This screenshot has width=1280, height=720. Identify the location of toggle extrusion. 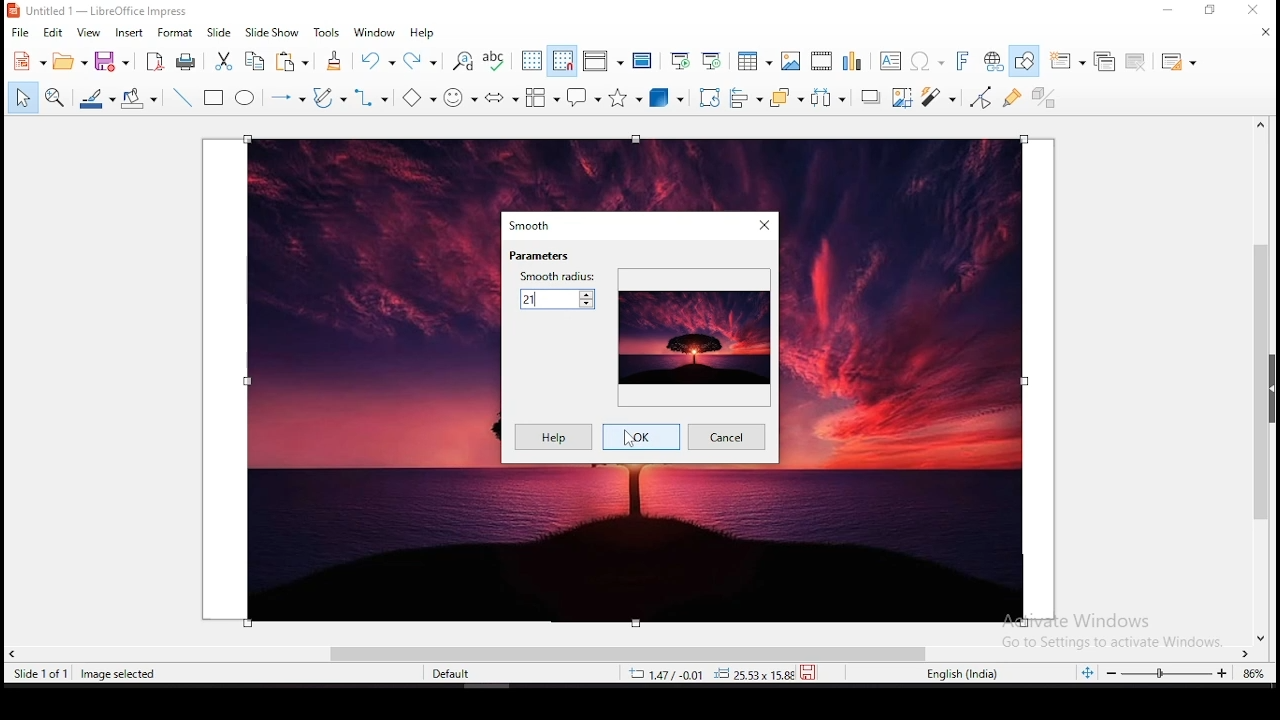
(1045, 95).